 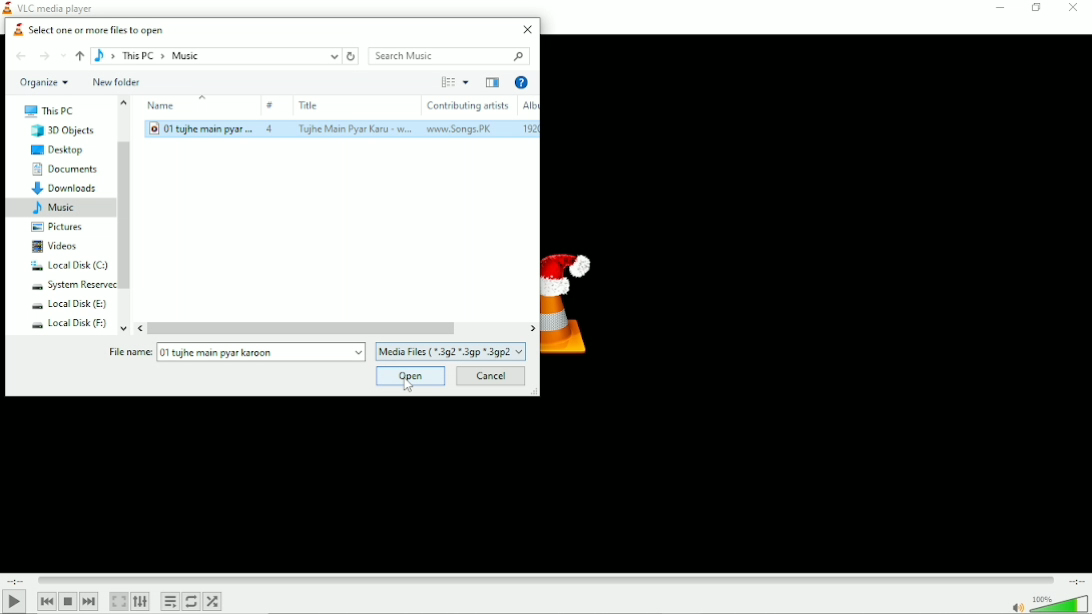 What do you see at coordinates (192, 602) in the screenshot?
I see `Toggle between loop all, loop one and no loop` at bounding box center [192, 602].